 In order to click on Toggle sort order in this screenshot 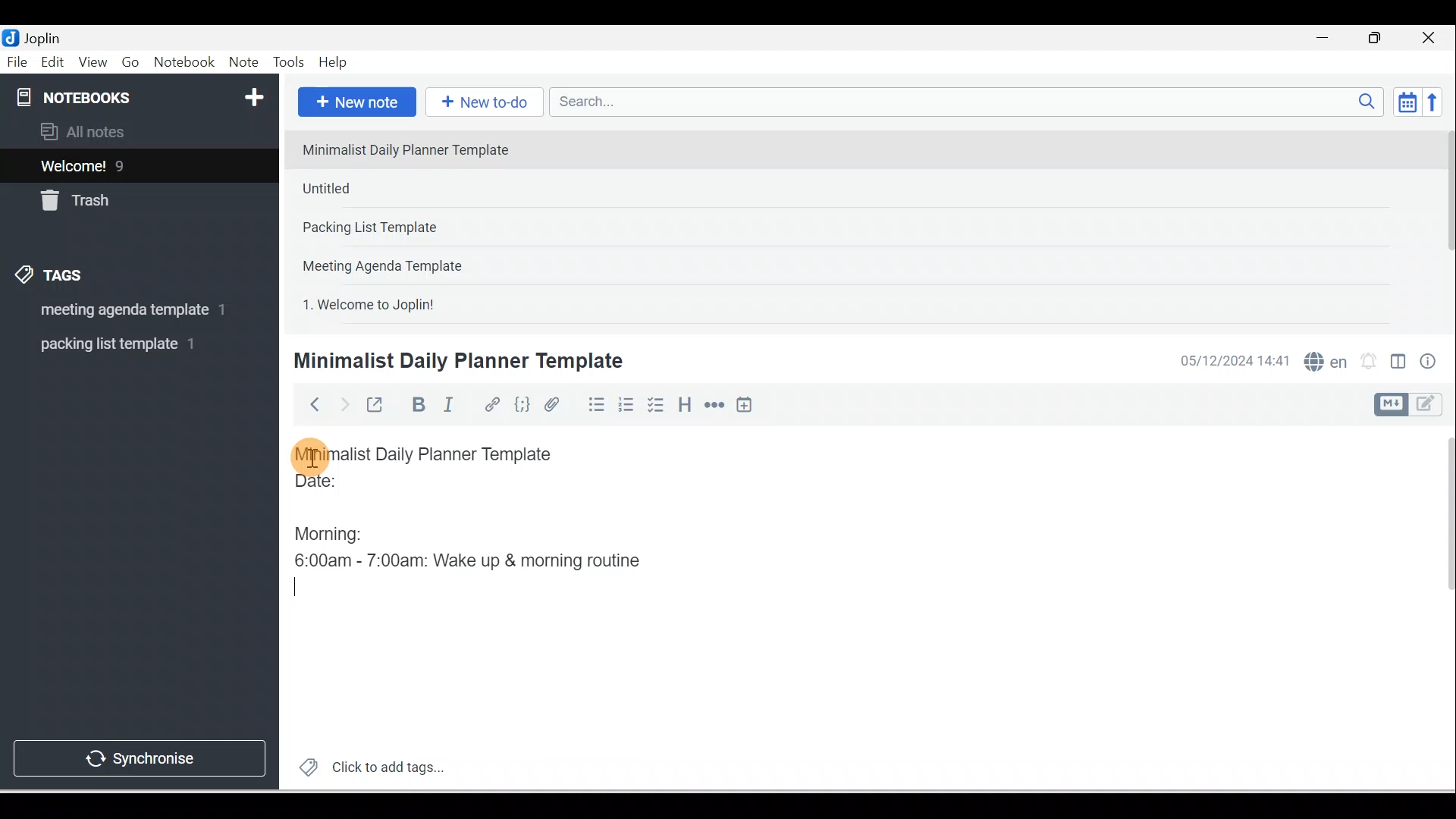, I will do `click(1407, 101)`.